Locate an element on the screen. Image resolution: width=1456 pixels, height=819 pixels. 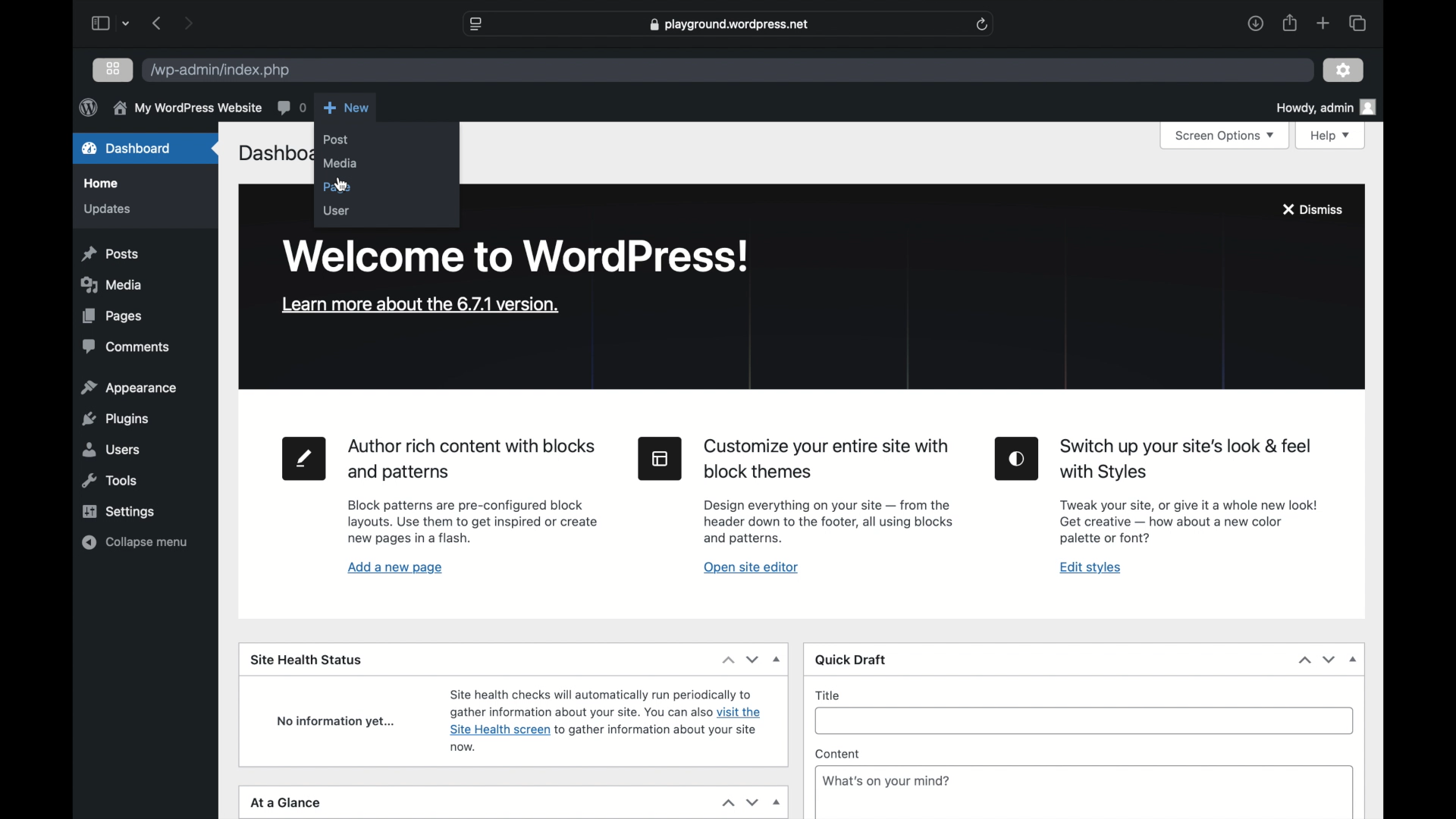
previous page is located at coordinates (158, 24).